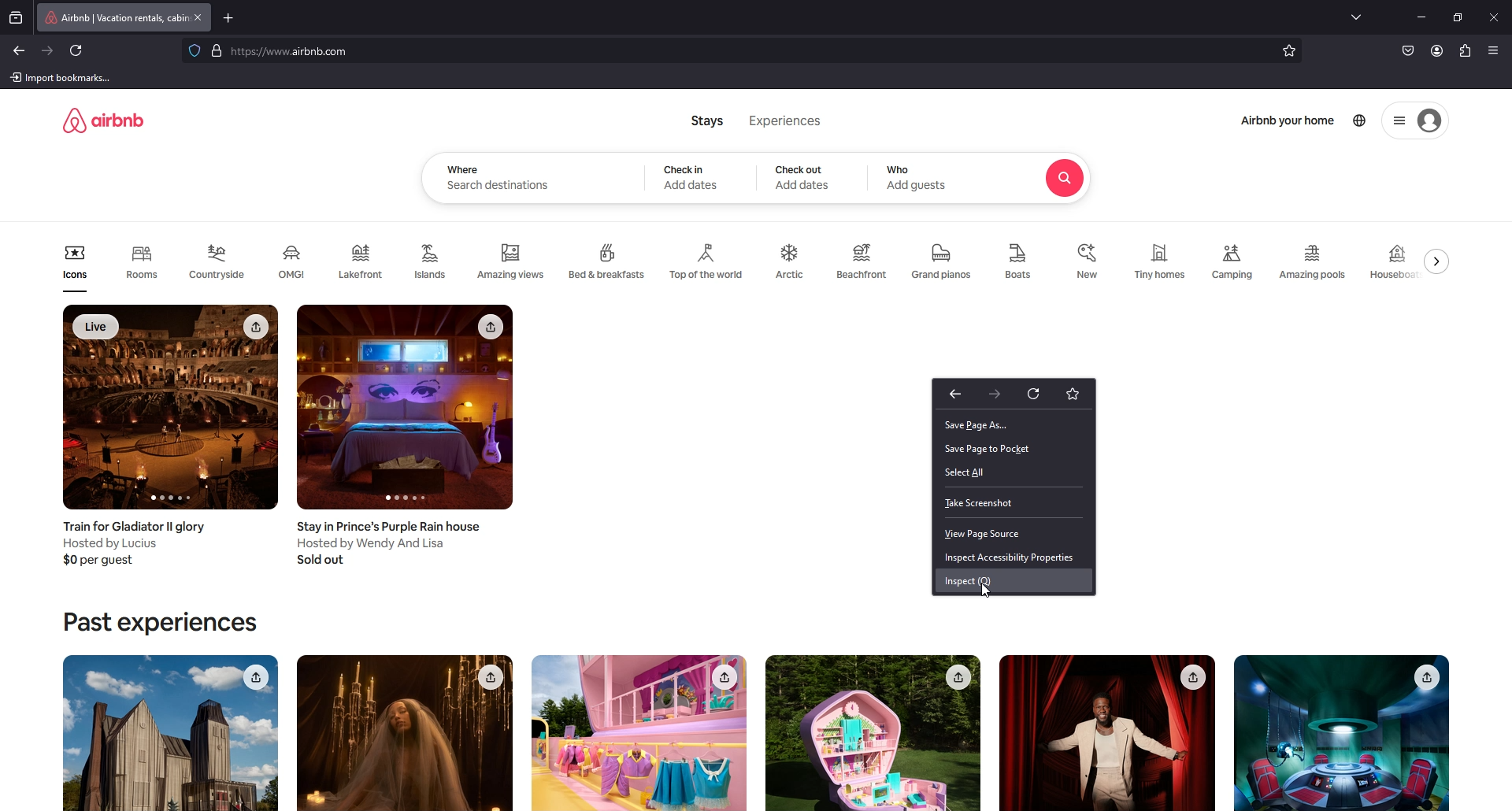 The image size is (1512, 811). I want to click on tab, so click(113, 17).